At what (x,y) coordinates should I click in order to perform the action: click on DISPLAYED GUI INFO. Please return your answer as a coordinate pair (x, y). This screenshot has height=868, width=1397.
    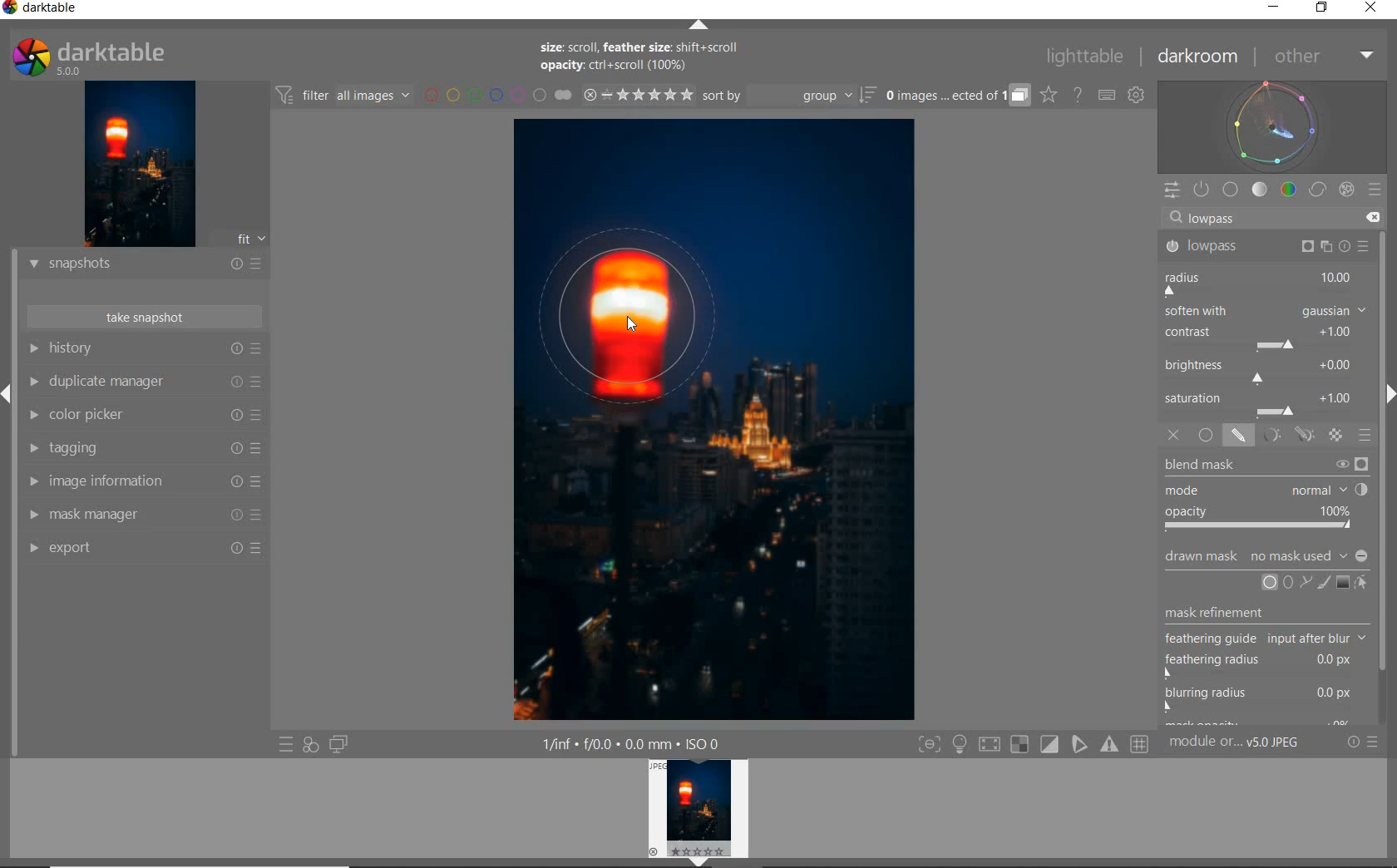
    Looking at the image, I should click on (632, 742).